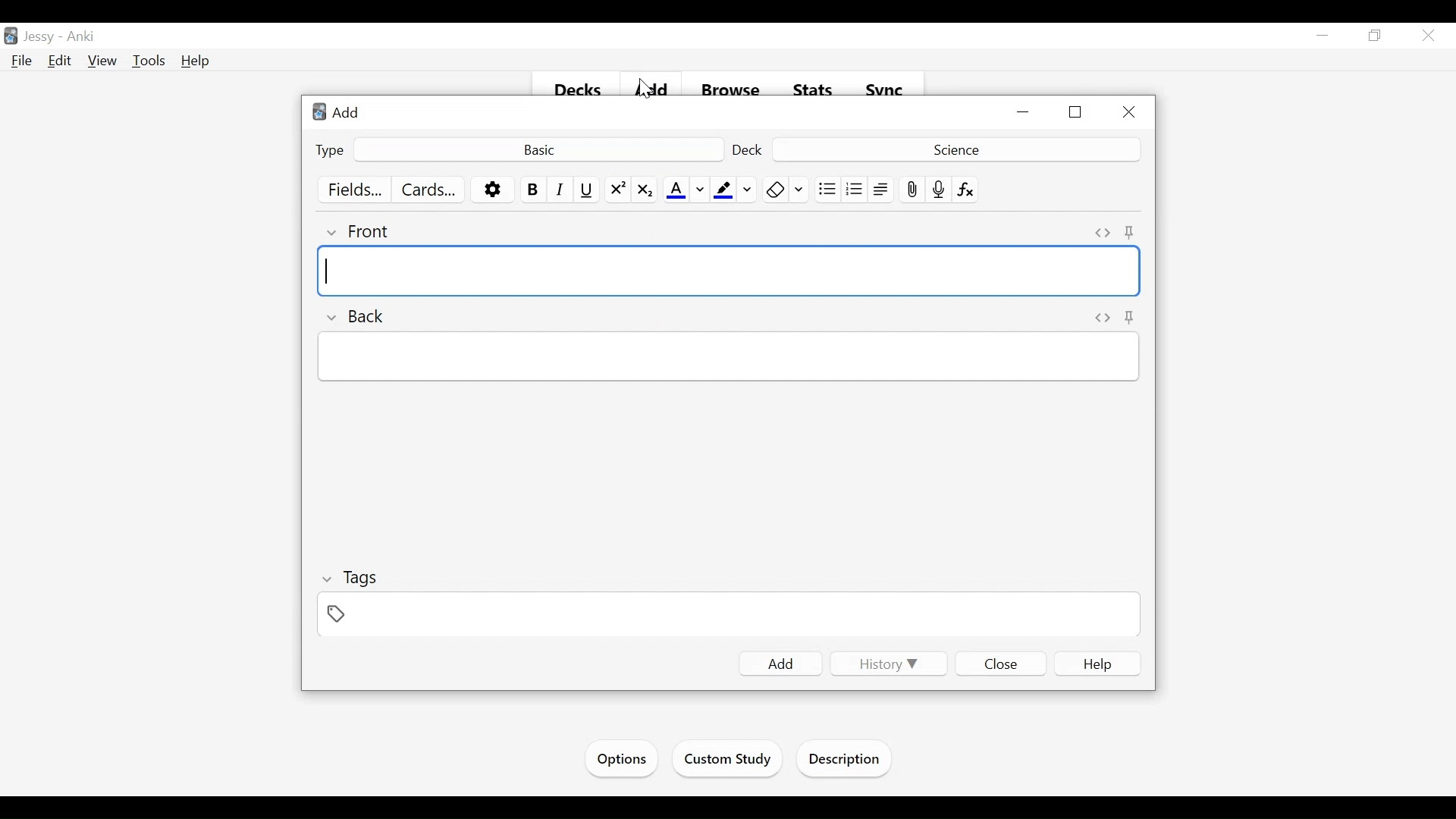  What do you see at coordinates (954, 149) in the screenshot?
I see `Deck` at bounding box center [954, 149].